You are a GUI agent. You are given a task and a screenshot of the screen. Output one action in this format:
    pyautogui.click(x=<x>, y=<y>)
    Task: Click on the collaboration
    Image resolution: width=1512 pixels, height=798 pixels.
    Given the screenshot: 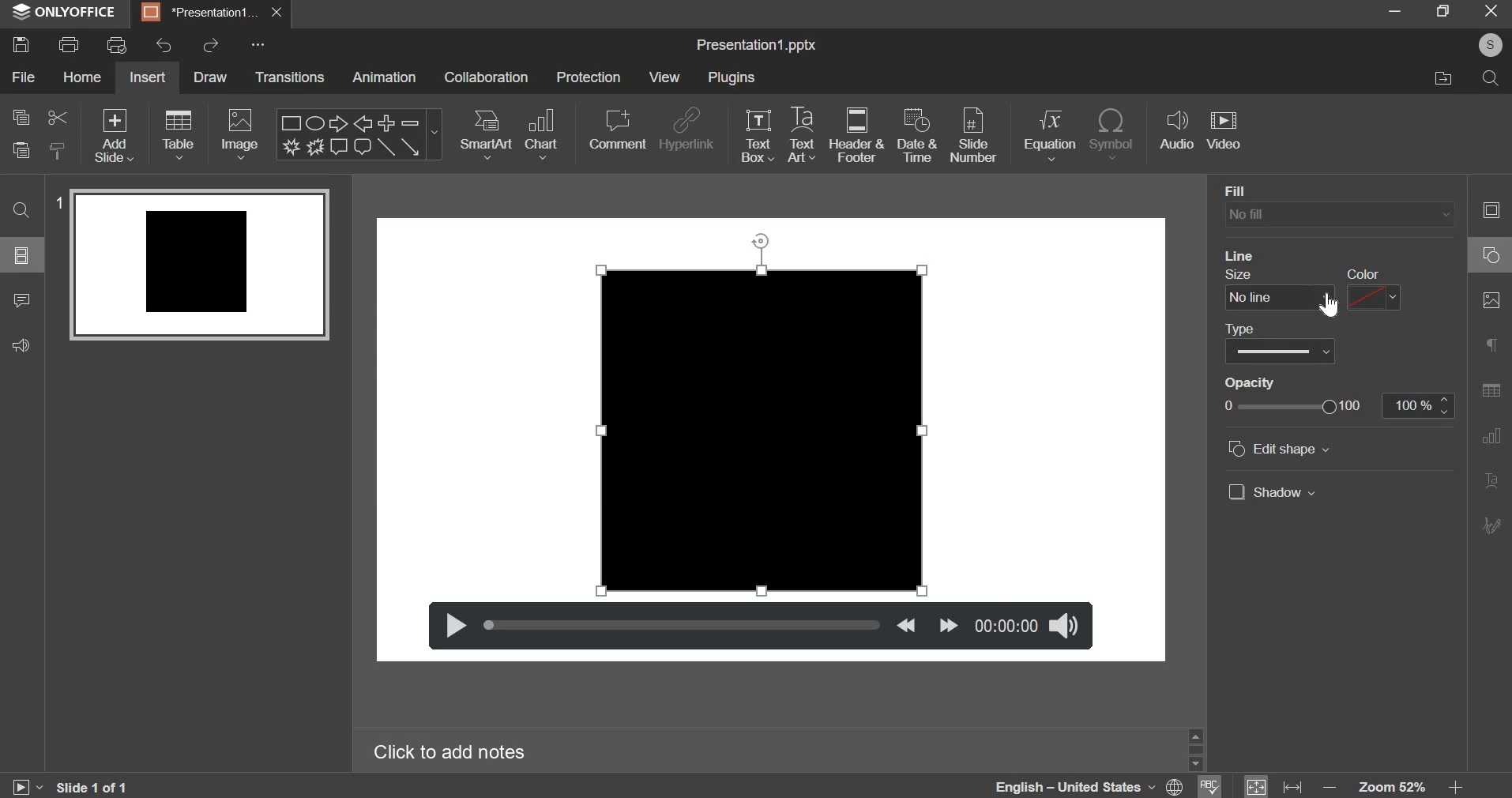 What is the action you would take?
    pyautogui.click(x=485, y=77)
    